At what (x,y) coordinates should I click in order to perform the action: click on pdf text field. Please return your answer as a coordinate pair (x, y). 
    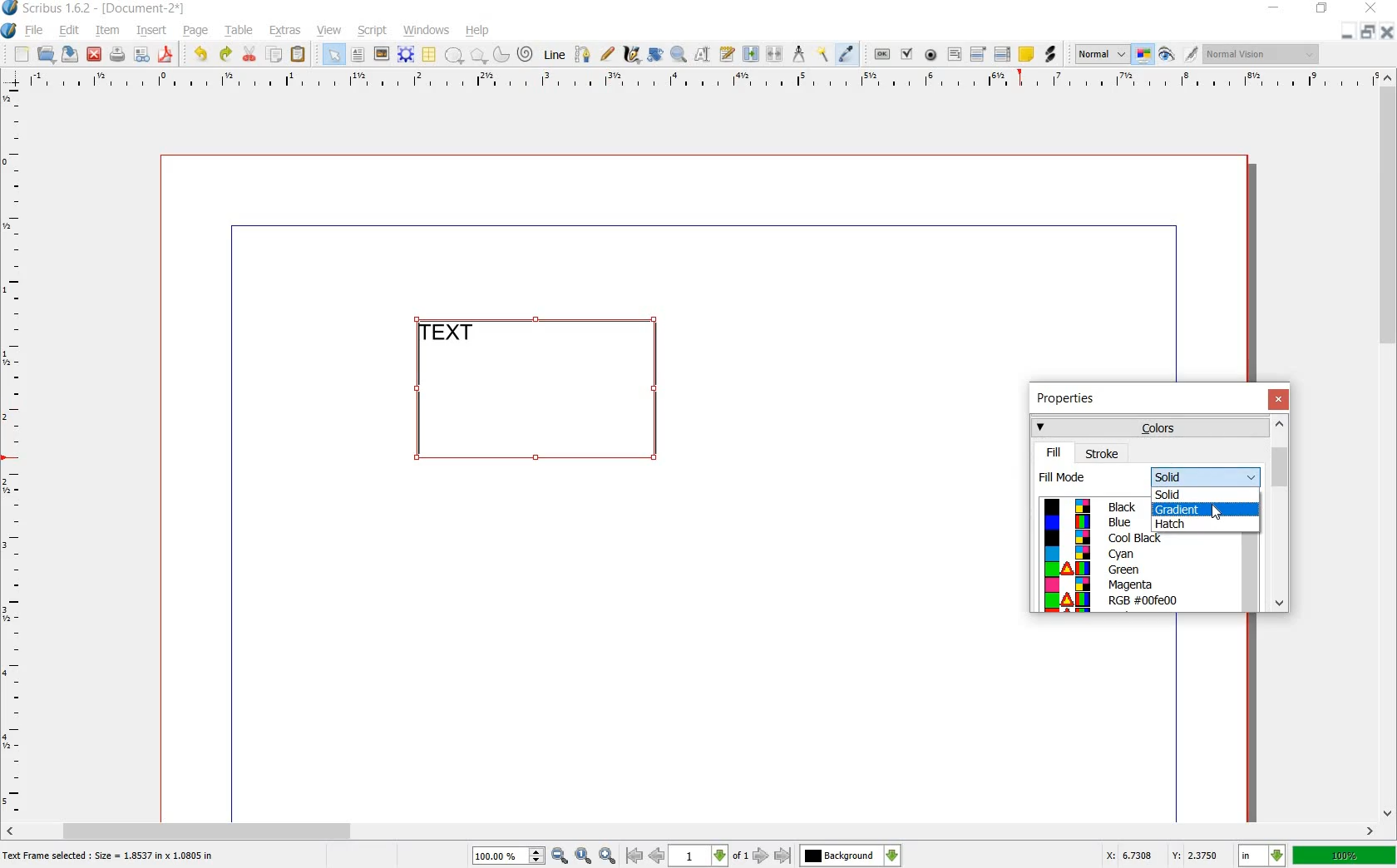
    Looking at the image, I should click on (954, 54).